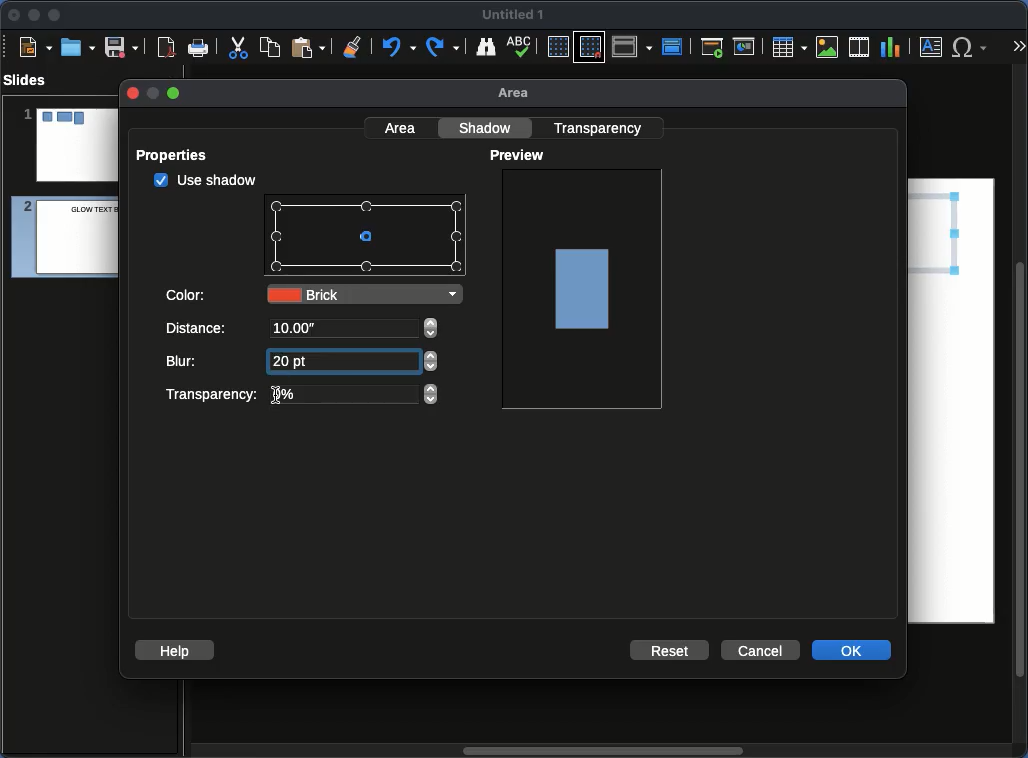 This screenshot has width=1028, height=758. I want to click on Distance, so click(198, 330).